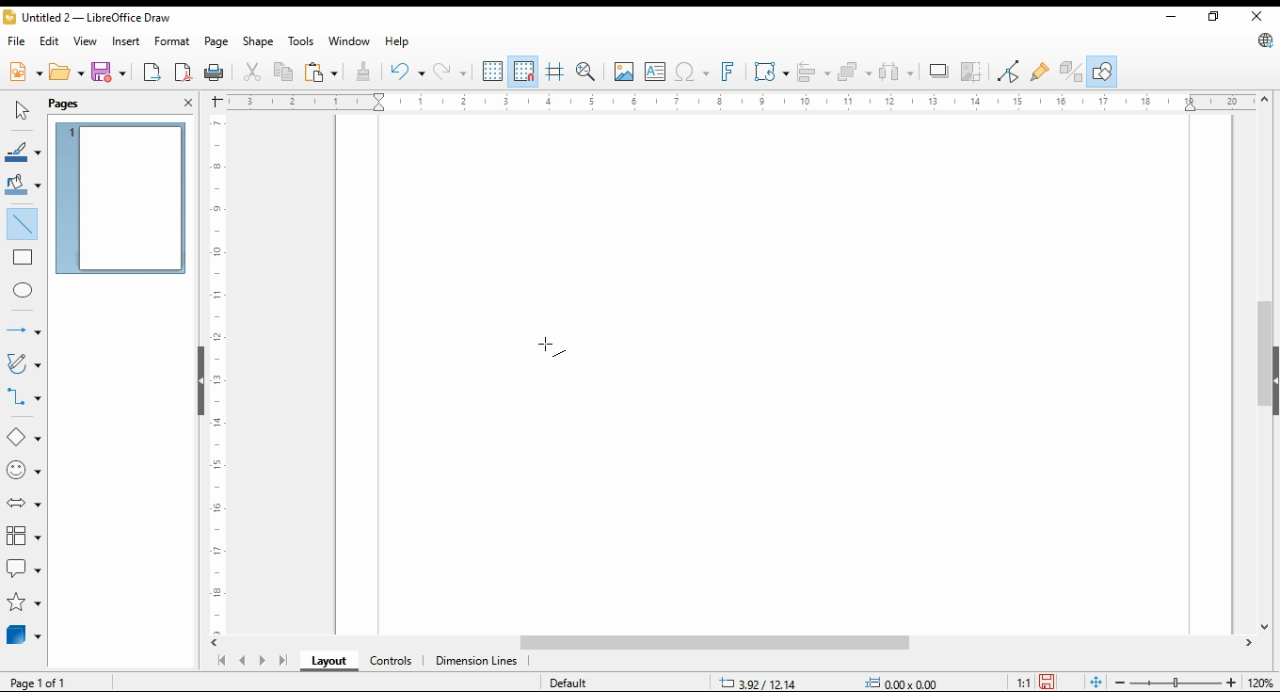  Describe the element at coordinates (259, 41) in the screenshot. I see `shape` at that location.